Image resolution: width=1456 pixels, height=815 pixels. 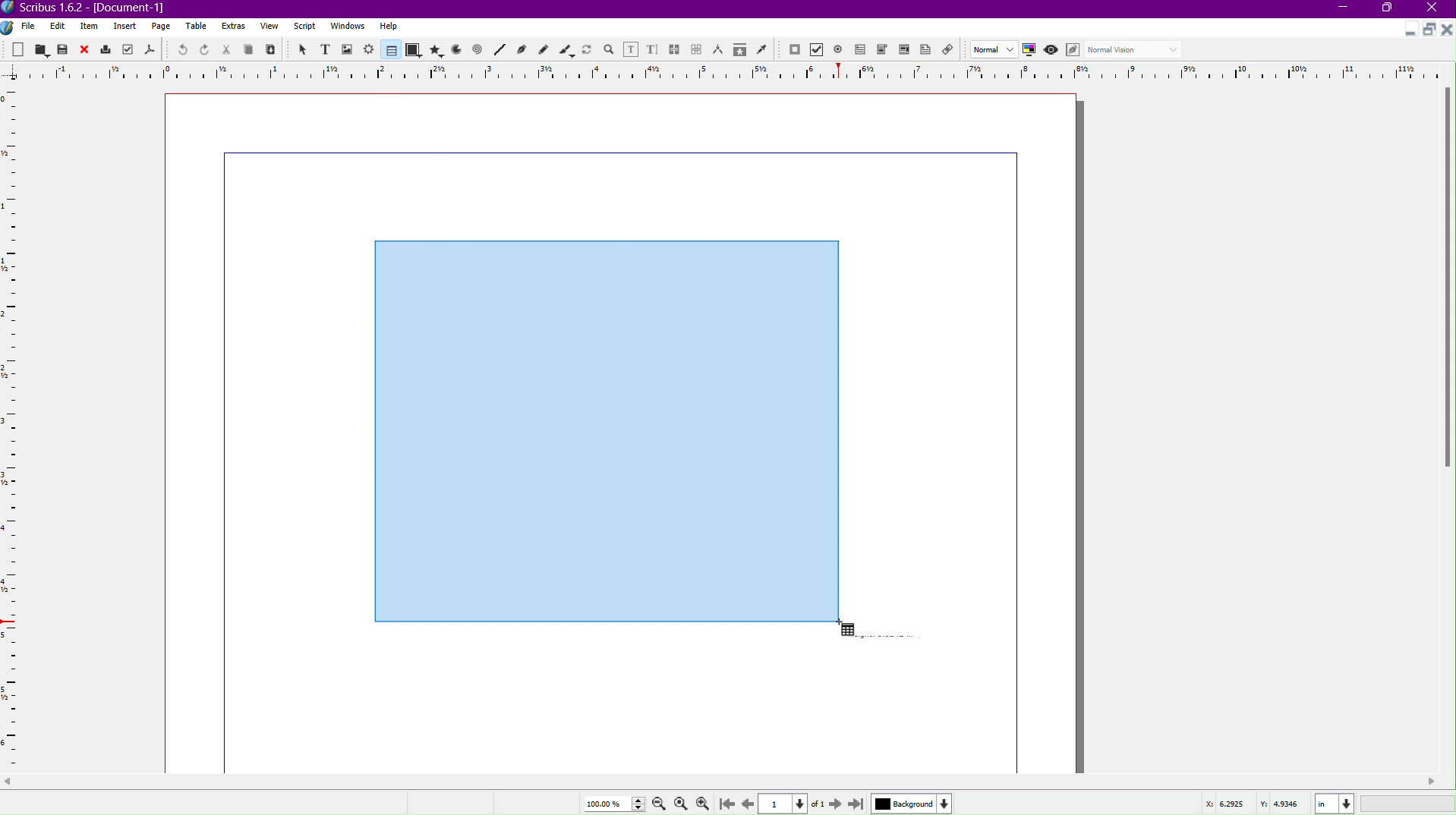 I want to click on Zoom In, so click(x=706, y=803).